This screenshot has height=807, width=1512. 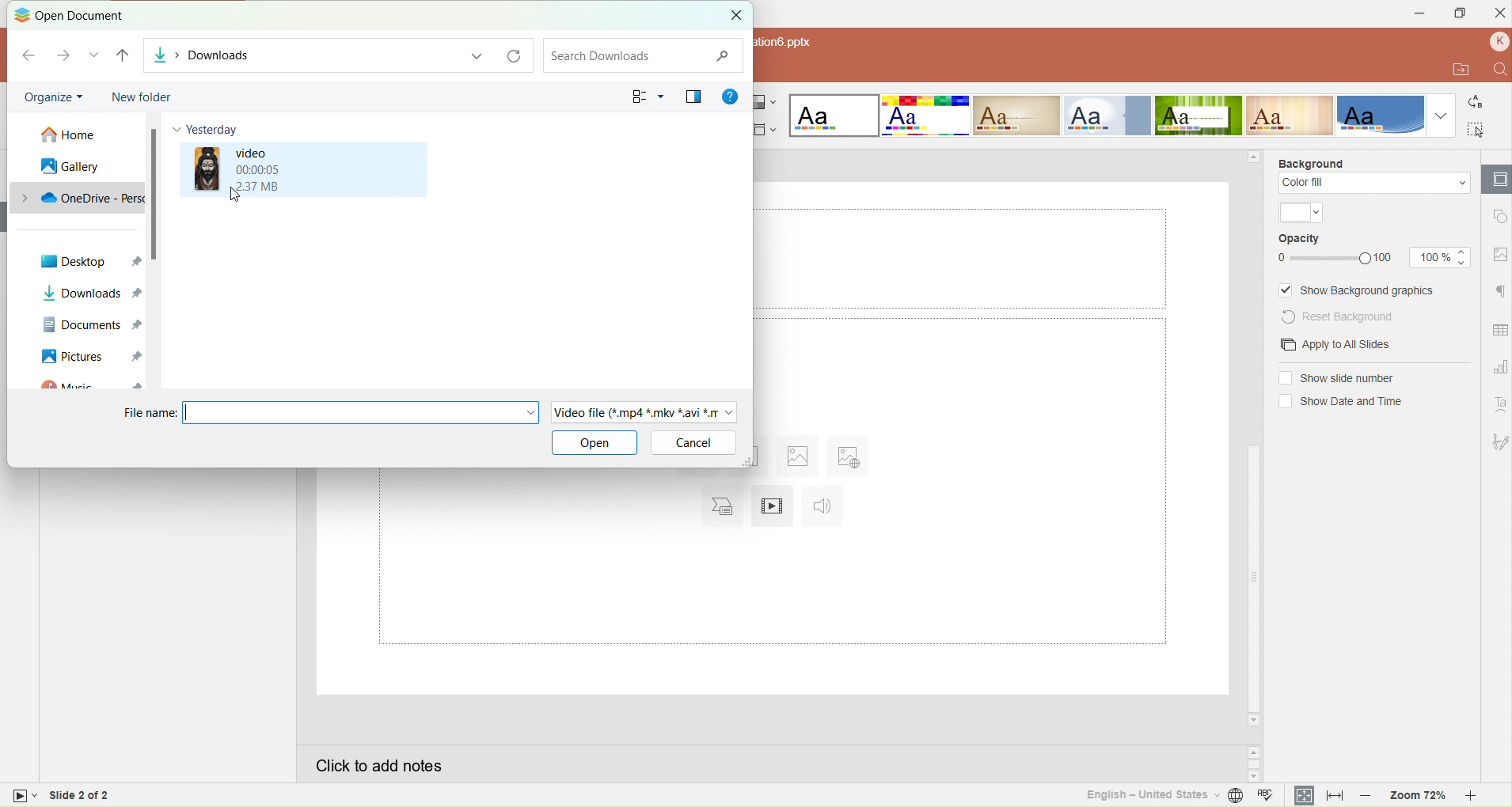 What do you see at coordinates (78, 15) in the screenshot?
I see `Open document` at bounding box center [78, 15].